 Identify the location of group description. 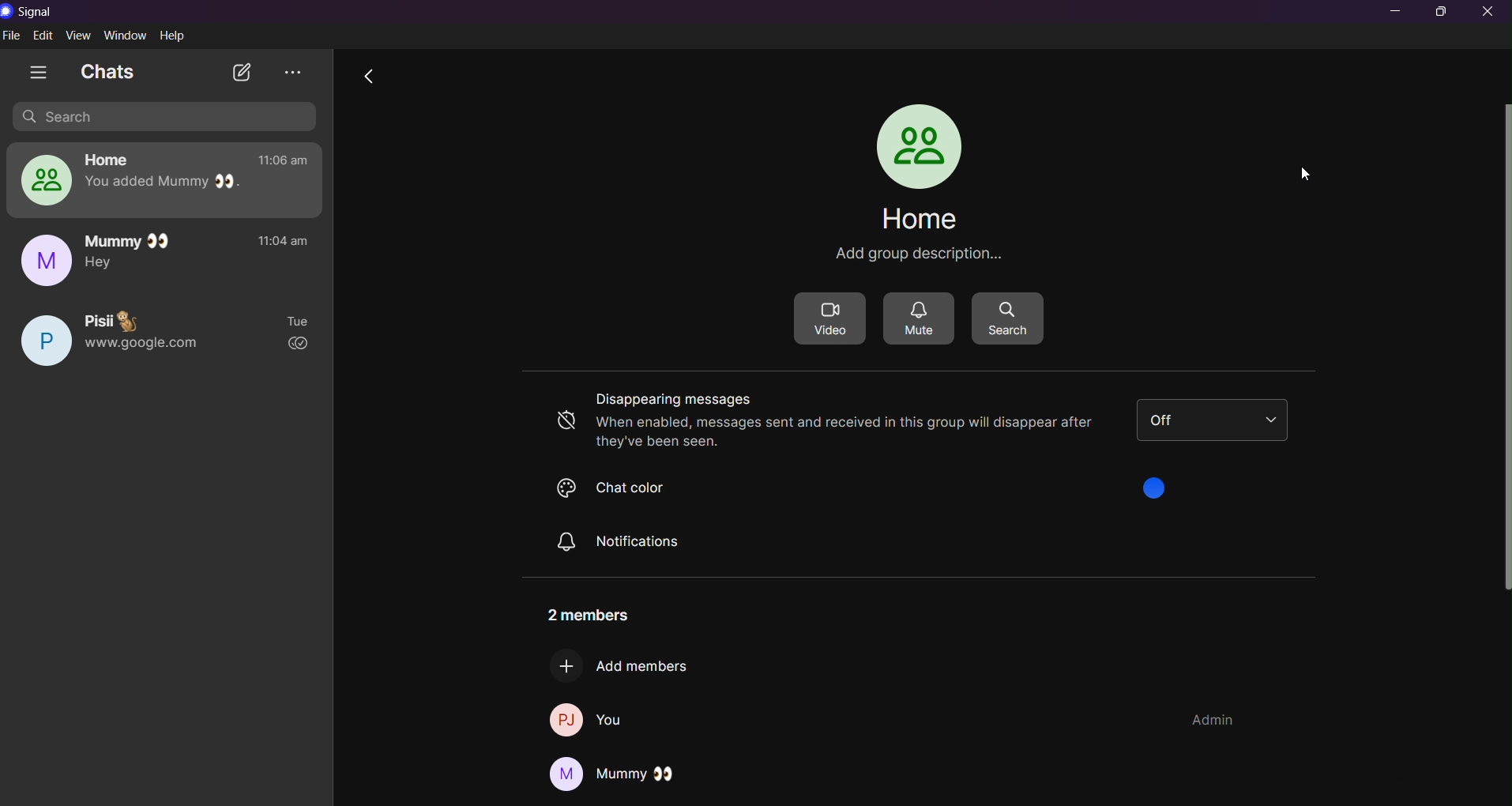
(927, 254).